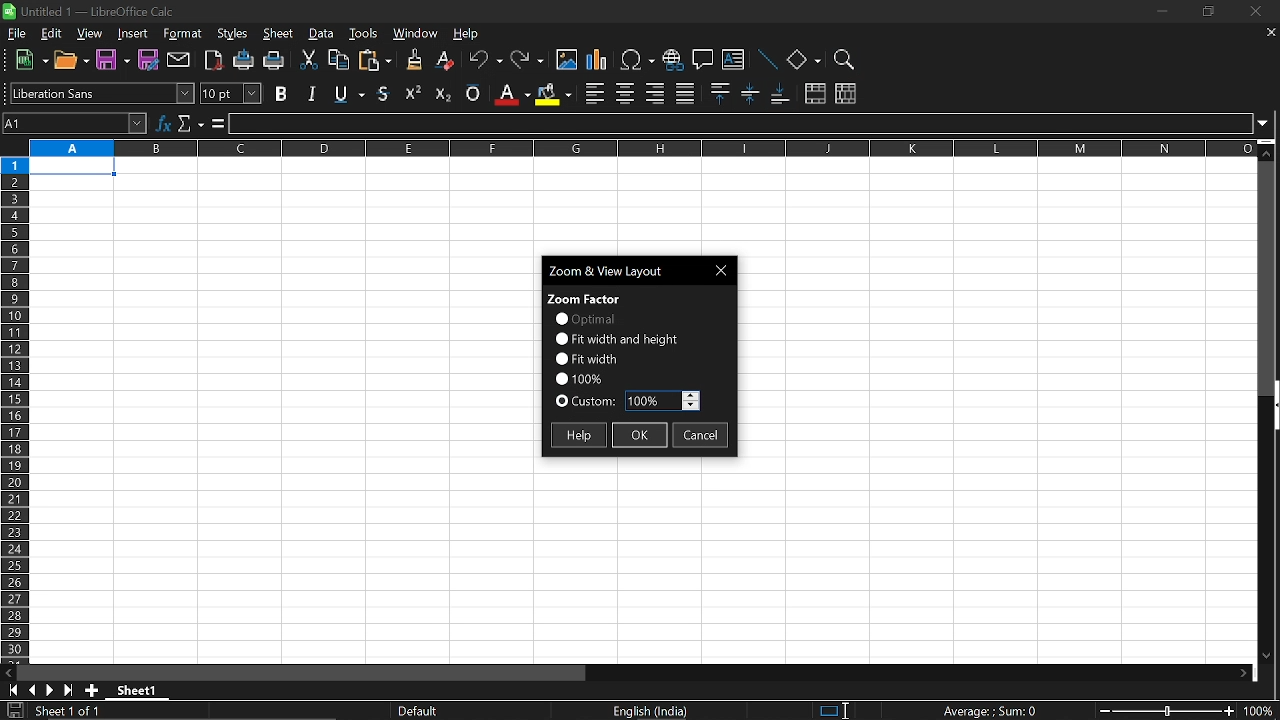 This screenshot has width=1280, height=720. What do you see at coordinates (416, 35) in the screenshot?
I see `window` at bounding box center [416, 35].